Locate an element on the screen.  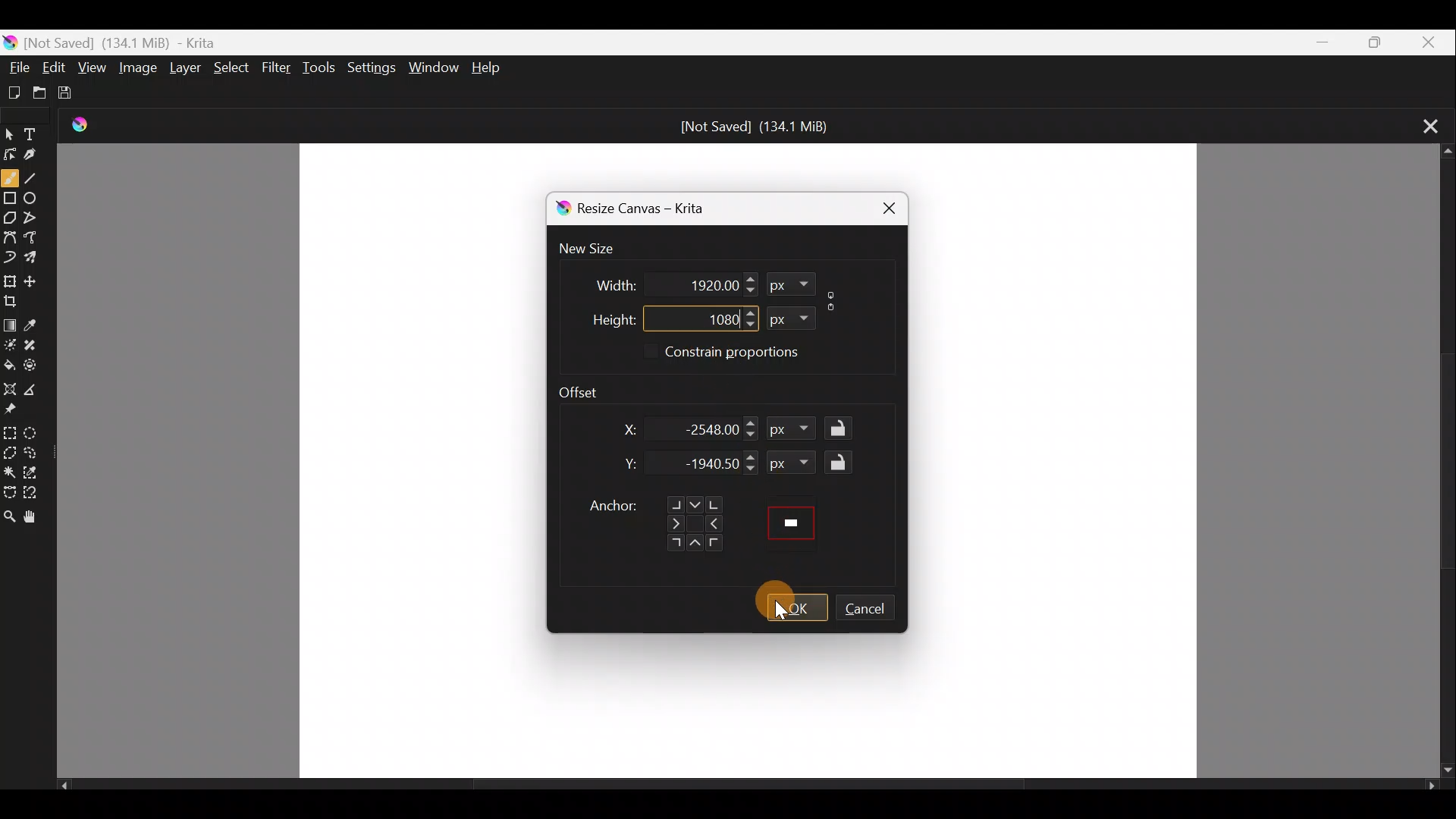
Constrain proportions is located at coordinates (754, 354).